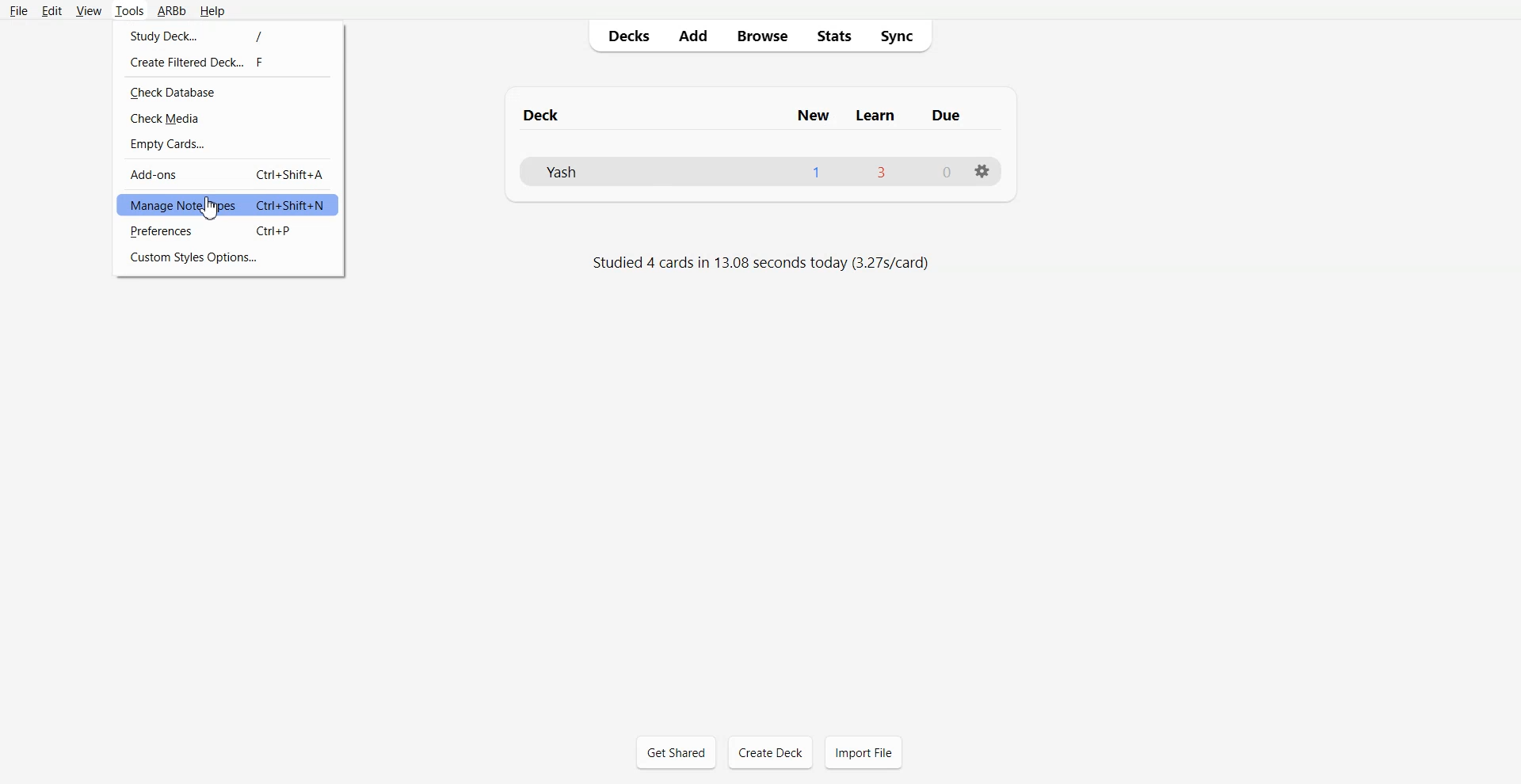 This screenshot has height=784, width=1521. I want to click on Edit, so click(52, 11).